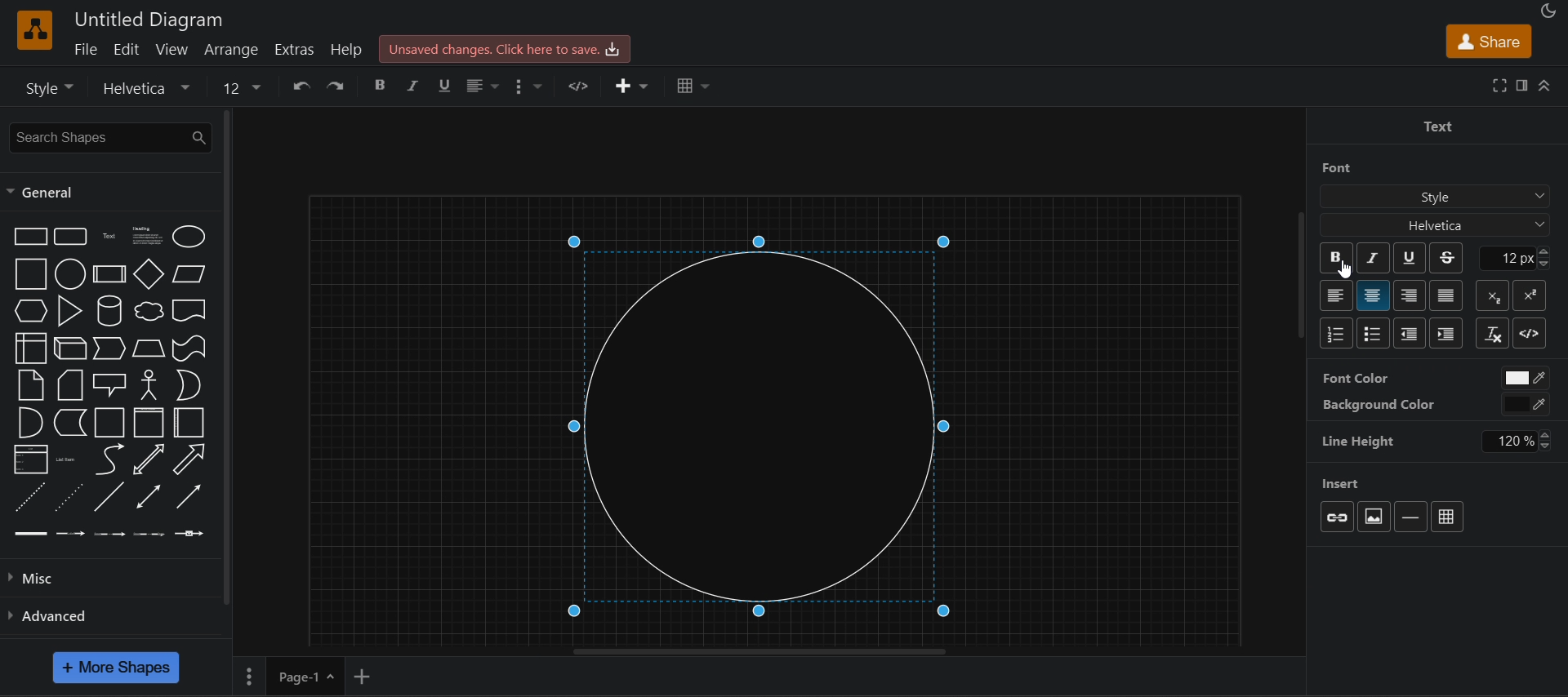  What do you see at coordinates (108, 238) in the screenshot?
I see `text` at bounding box center [108, 238].